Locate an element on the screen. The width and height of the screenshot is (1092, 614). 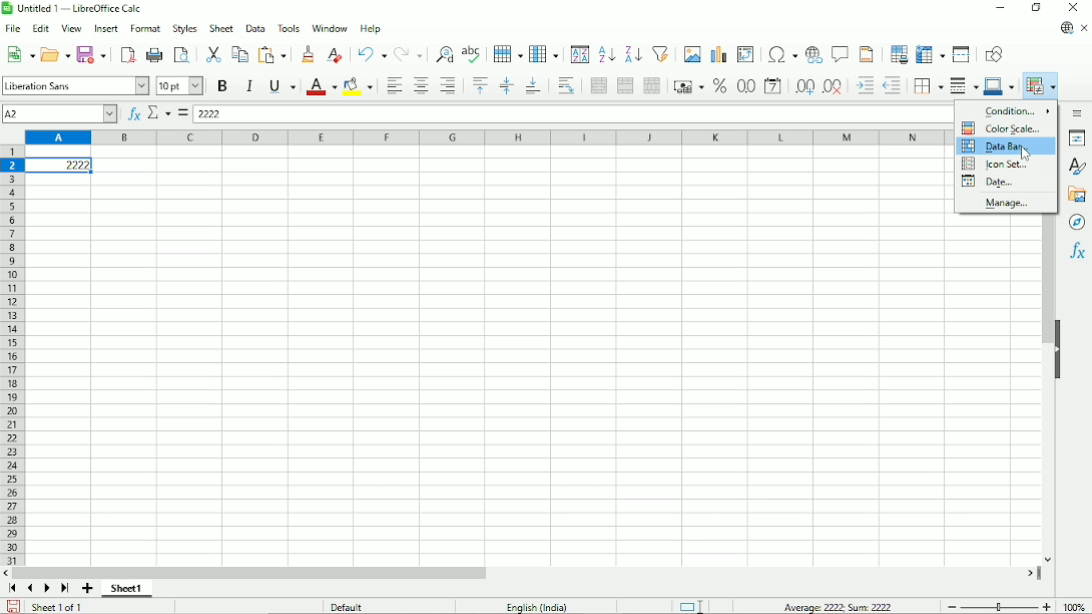
Select function is located at coordinates (159, 112).